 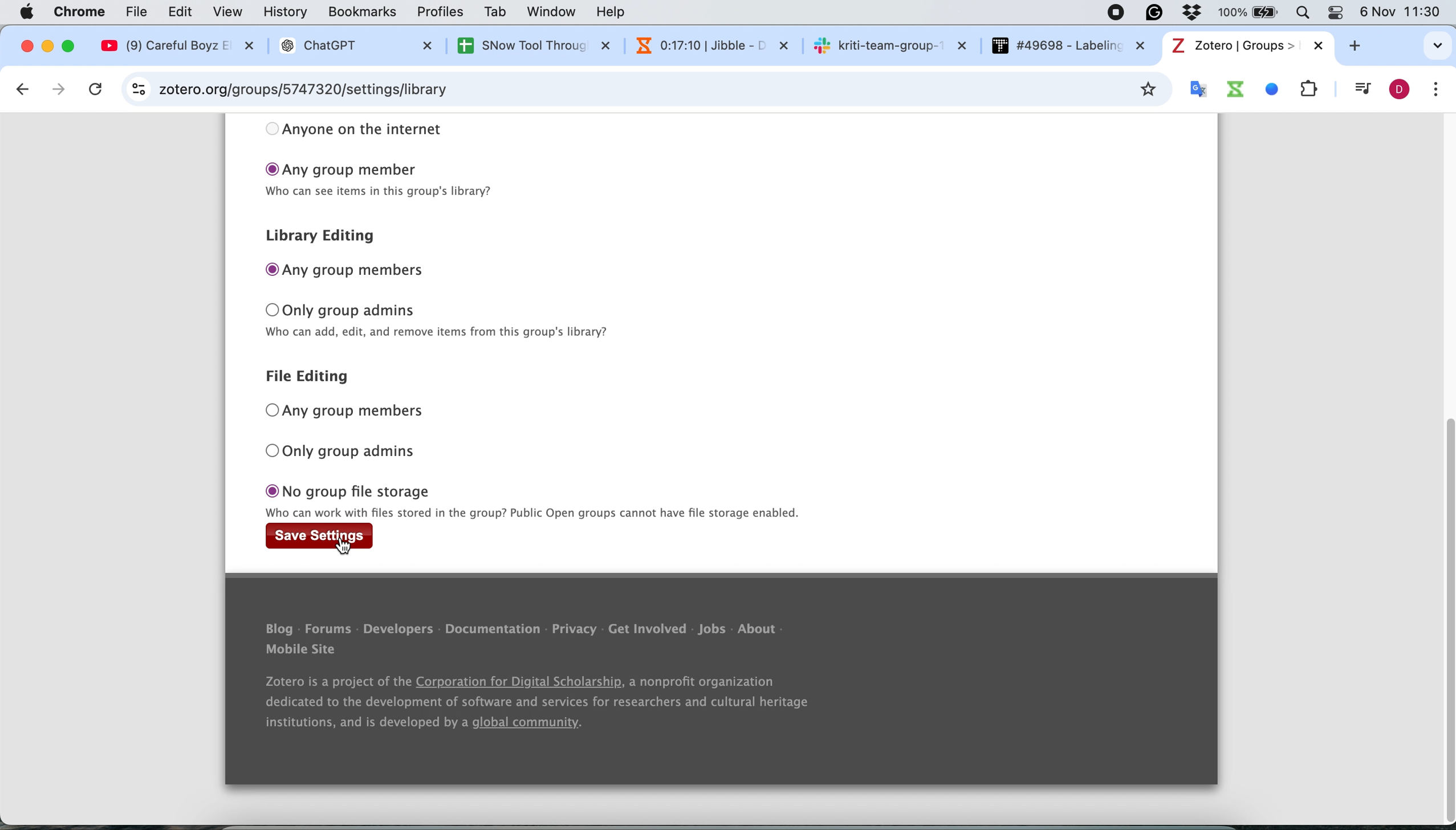 What do you see at coordinates (363, 309) in the screenshot?
I see `only group admins` at bounding box center [363, 309].